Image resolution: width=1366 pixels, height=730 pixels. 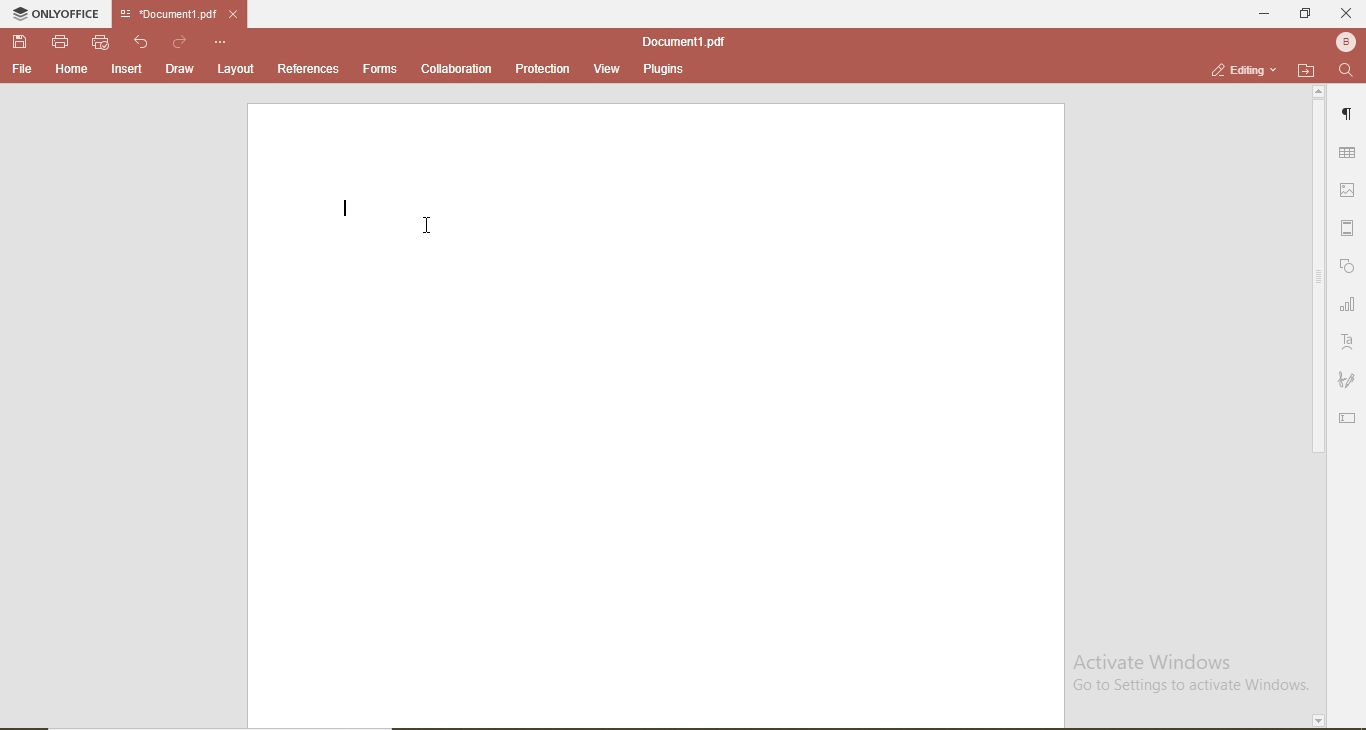 What do you see at coordinates (1262, 15) in the screenshot?
I see `minimise` at bounding box center [1262, 15].